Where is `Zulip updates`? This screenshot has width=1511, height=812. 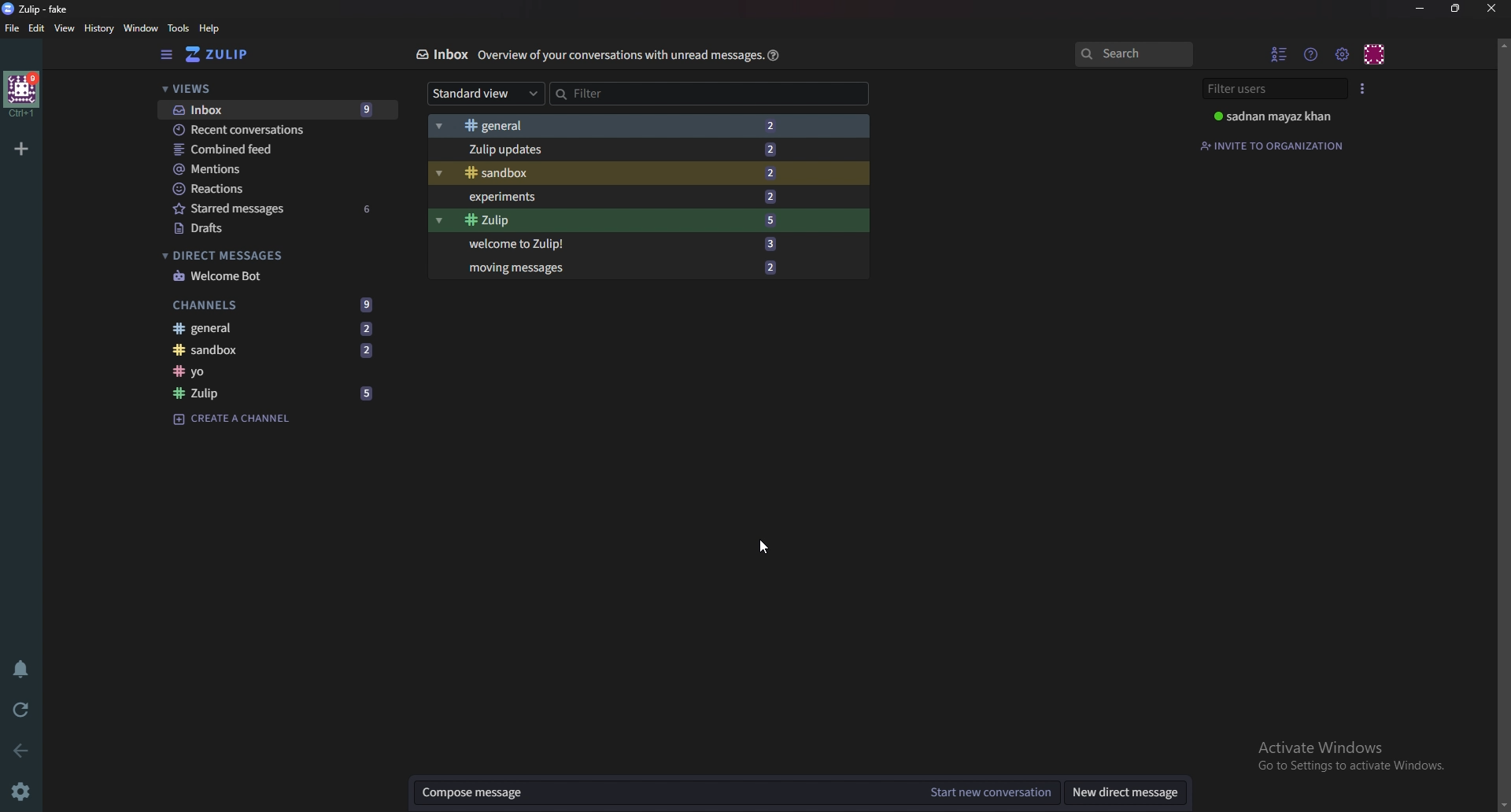
Zulip updates is located at coordinates (650, 149).